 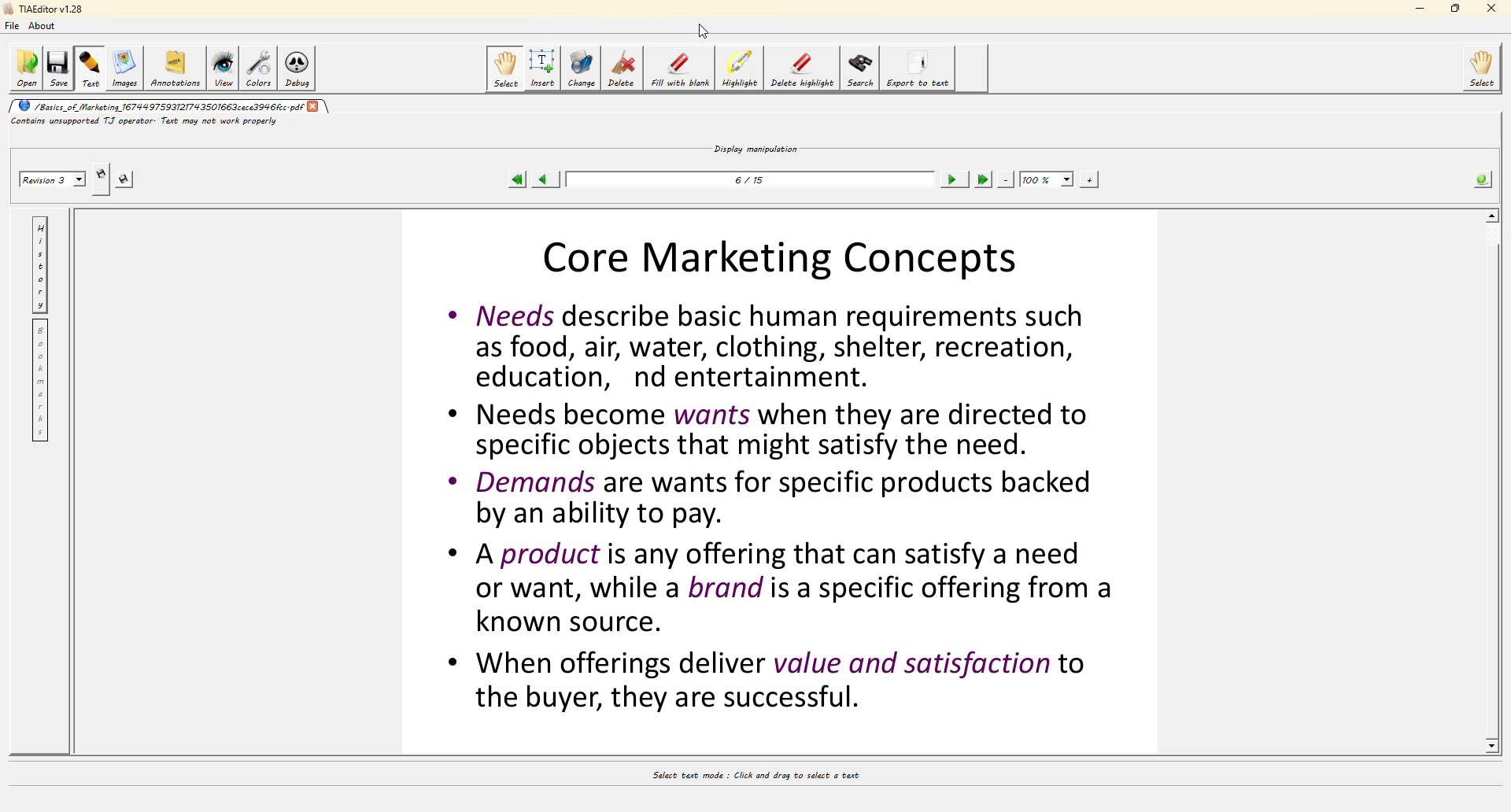 I want to click on select text mode : Click and drag to select a text, so click(x=772, y=777).